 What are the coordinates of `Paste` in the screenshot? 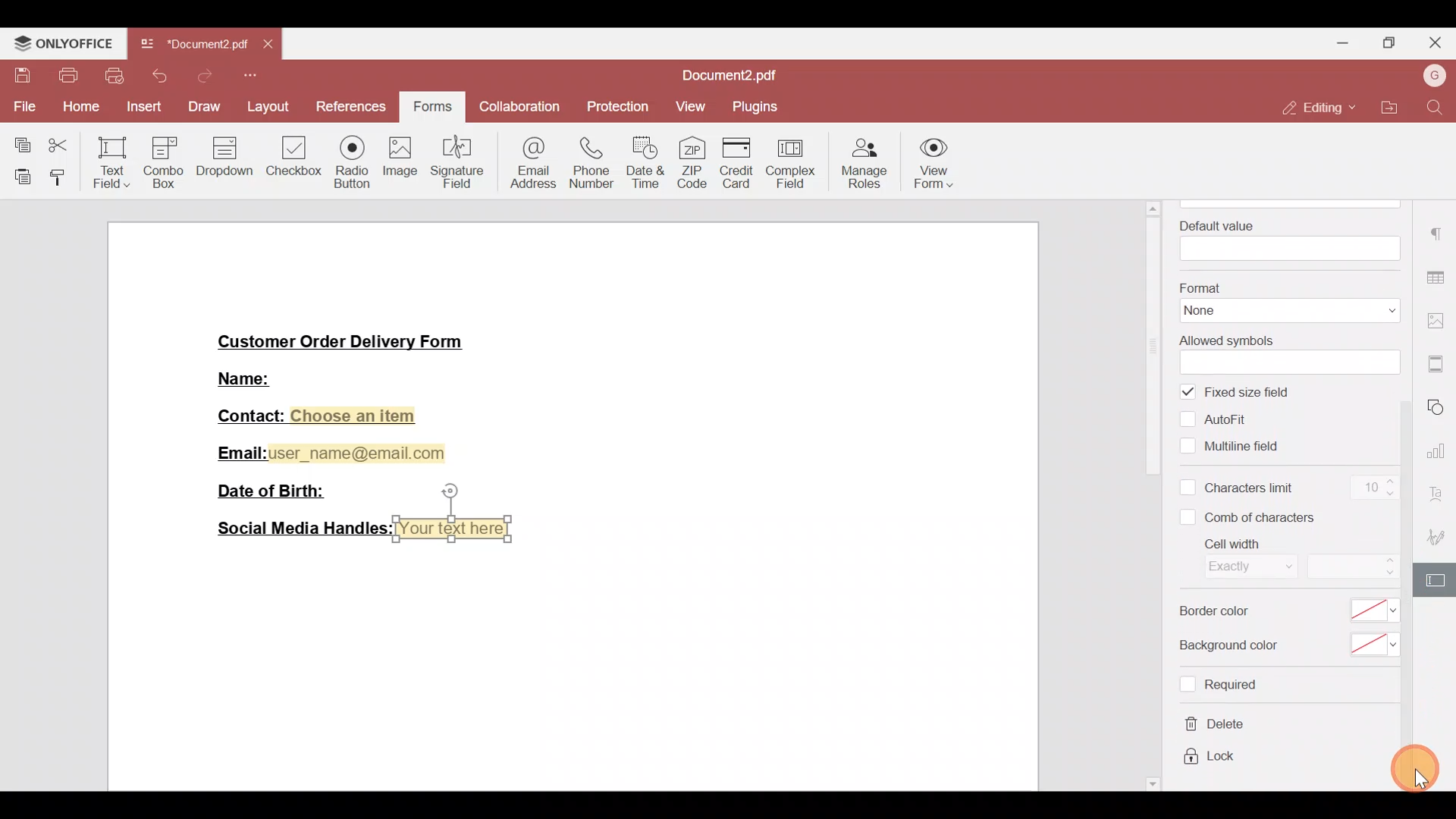 It's located at (17, 177).